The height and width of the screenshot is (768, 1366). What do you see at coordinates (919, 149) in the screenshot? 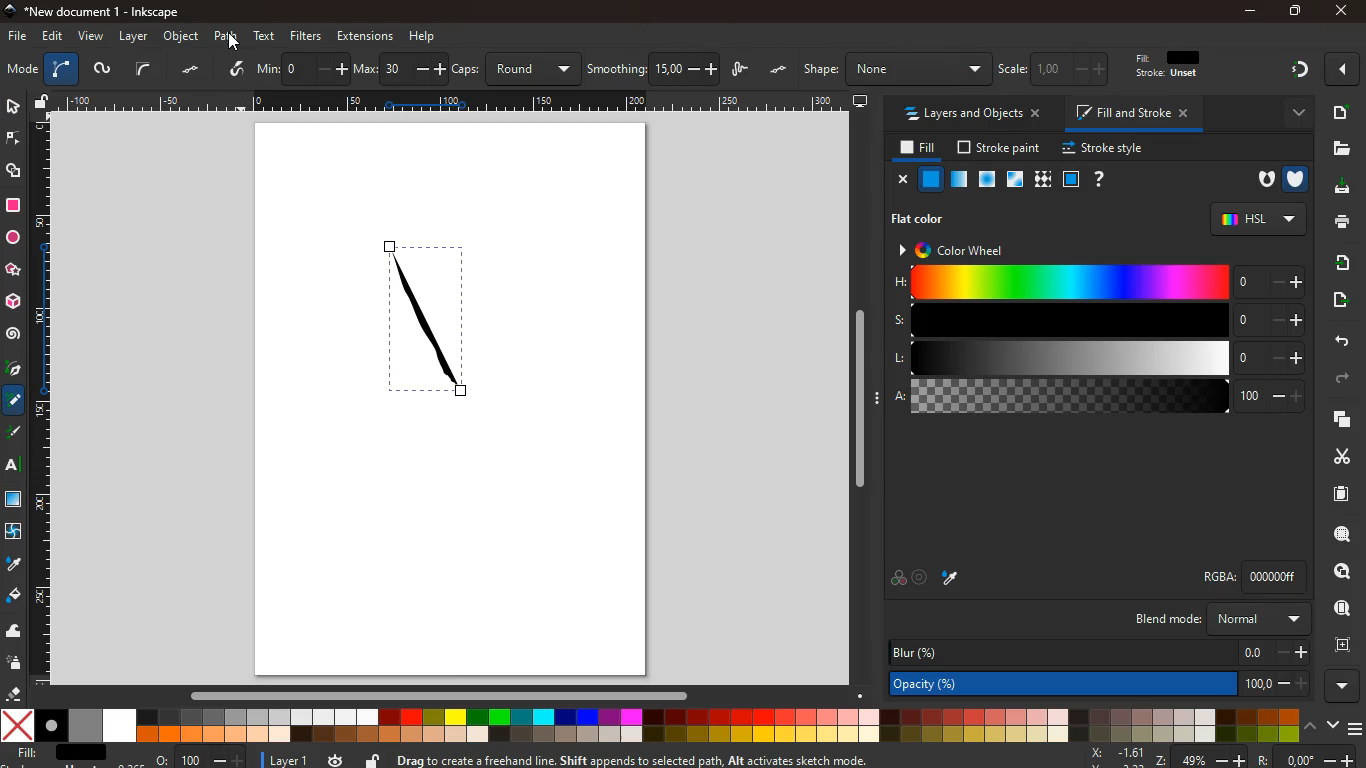
I see `fill` at bounding box center [919, 149].